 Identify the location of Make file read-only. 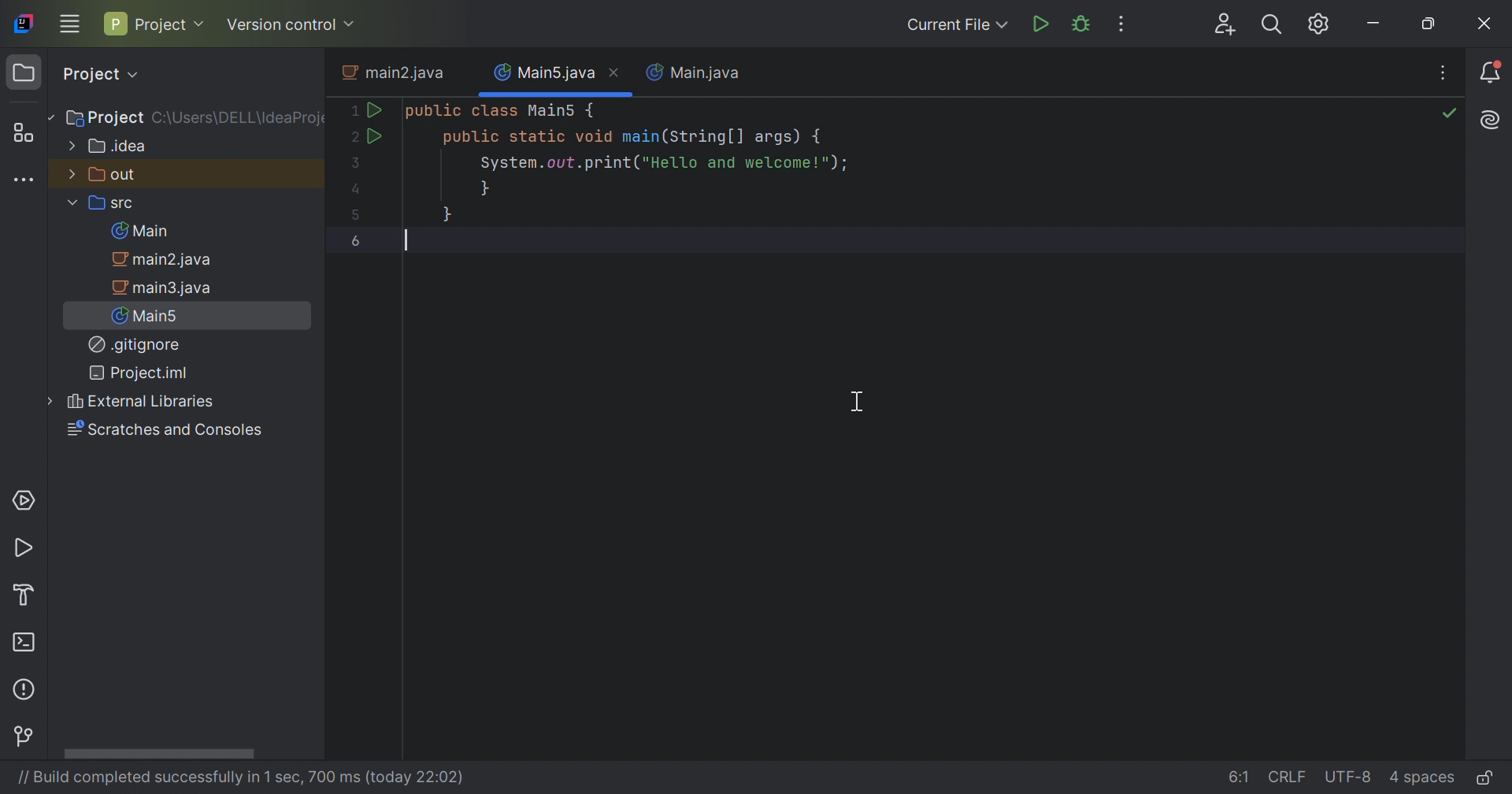
(1486, 779).